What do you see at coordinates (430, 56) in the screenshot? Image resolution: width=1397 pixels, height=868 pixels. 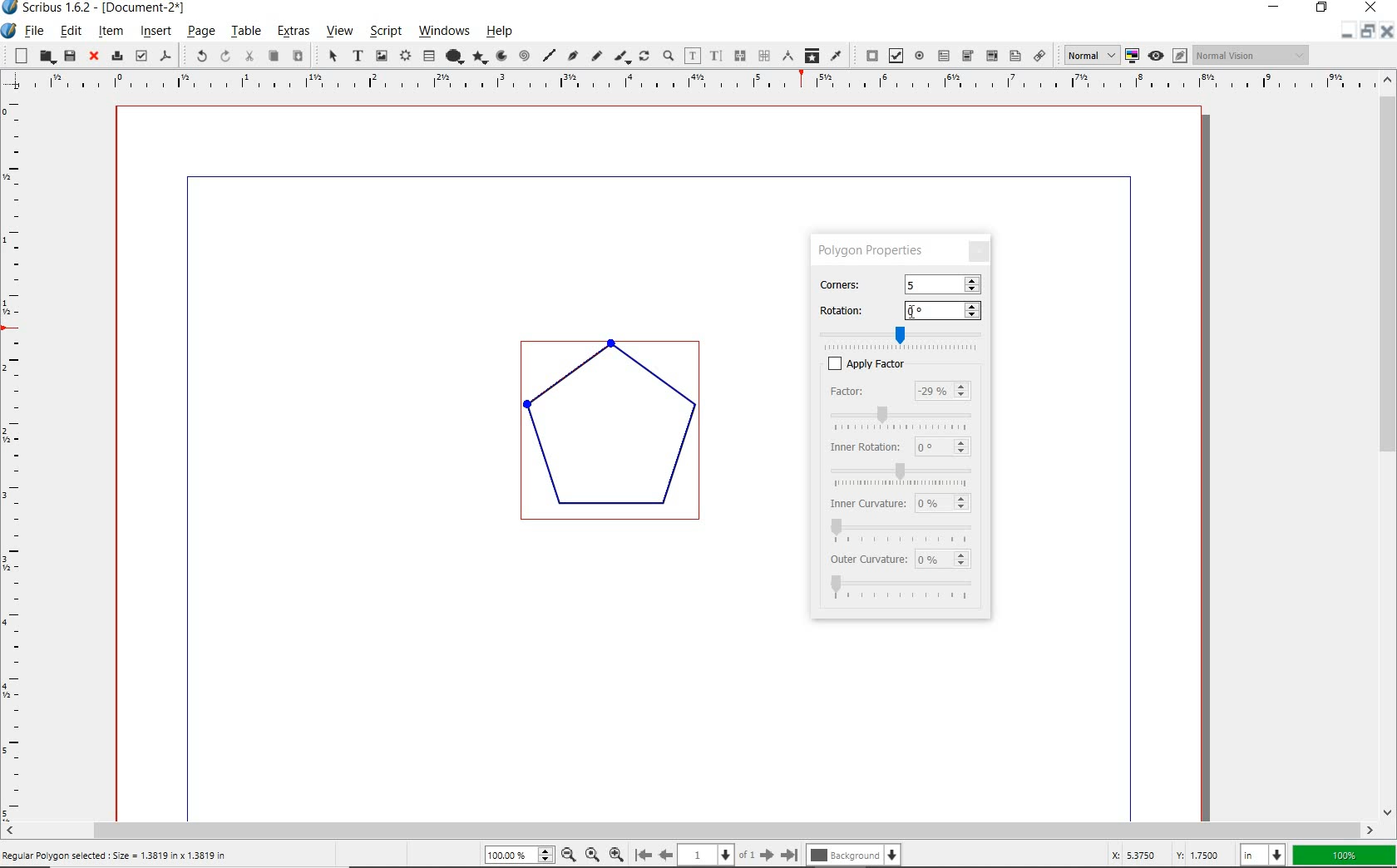 I see `table` at bounding box center [430, 56].